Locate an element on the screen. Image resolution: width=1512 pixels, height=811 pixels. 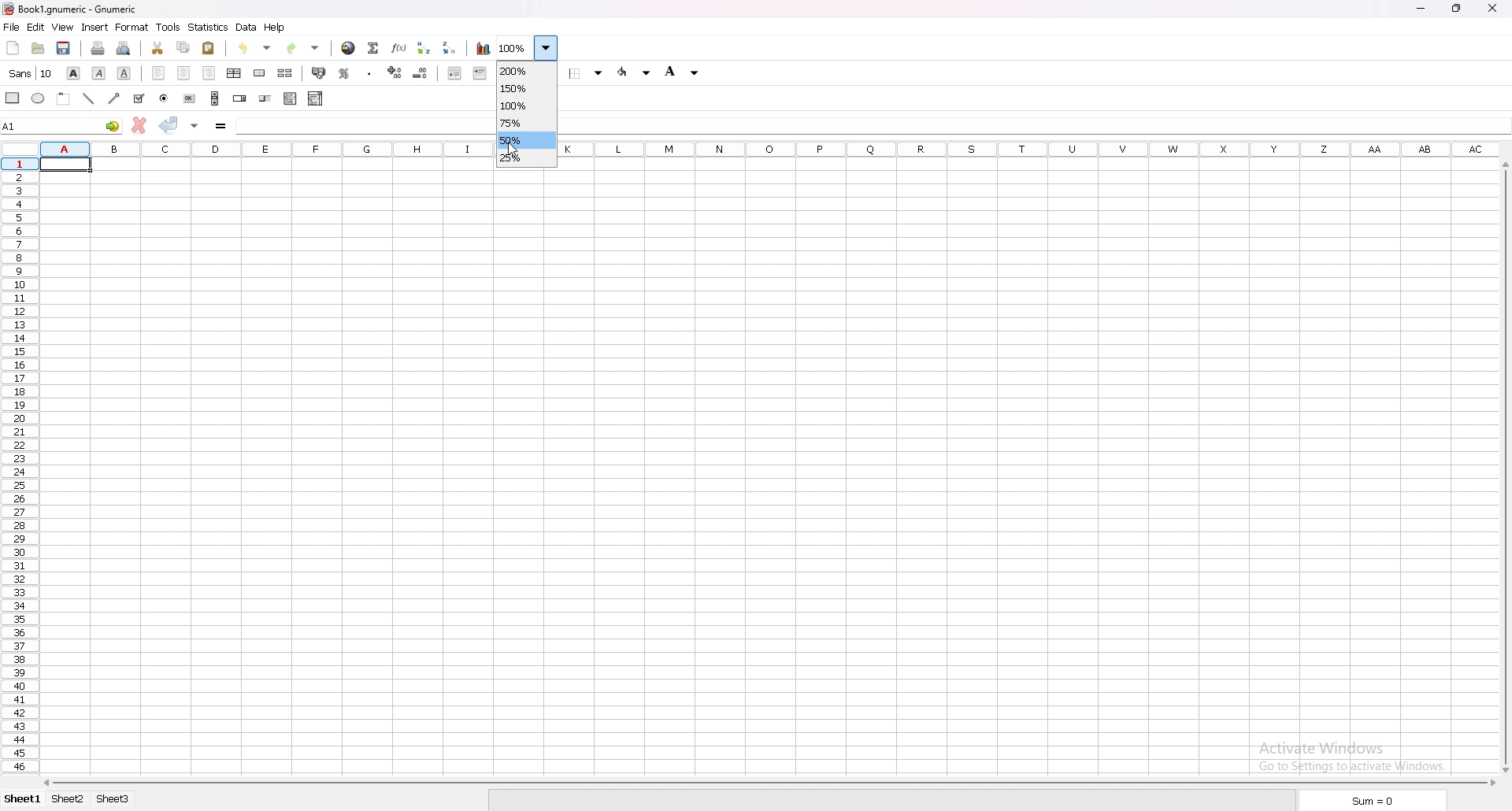
font is located at coordinates (32, 73).